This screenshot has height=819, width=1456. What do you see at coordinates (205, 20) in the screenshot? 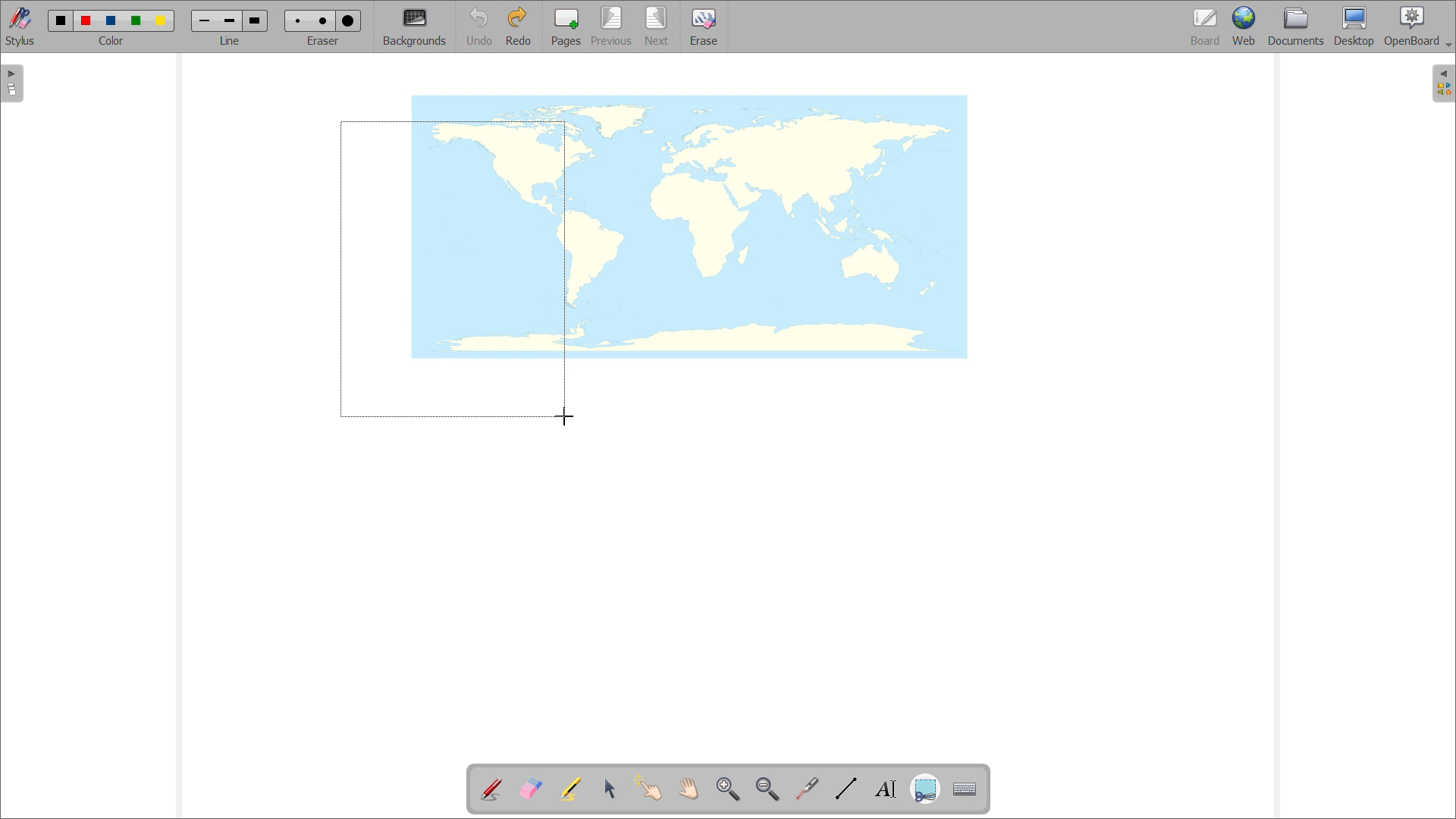
I see `small` at bounding box center [205, 20].